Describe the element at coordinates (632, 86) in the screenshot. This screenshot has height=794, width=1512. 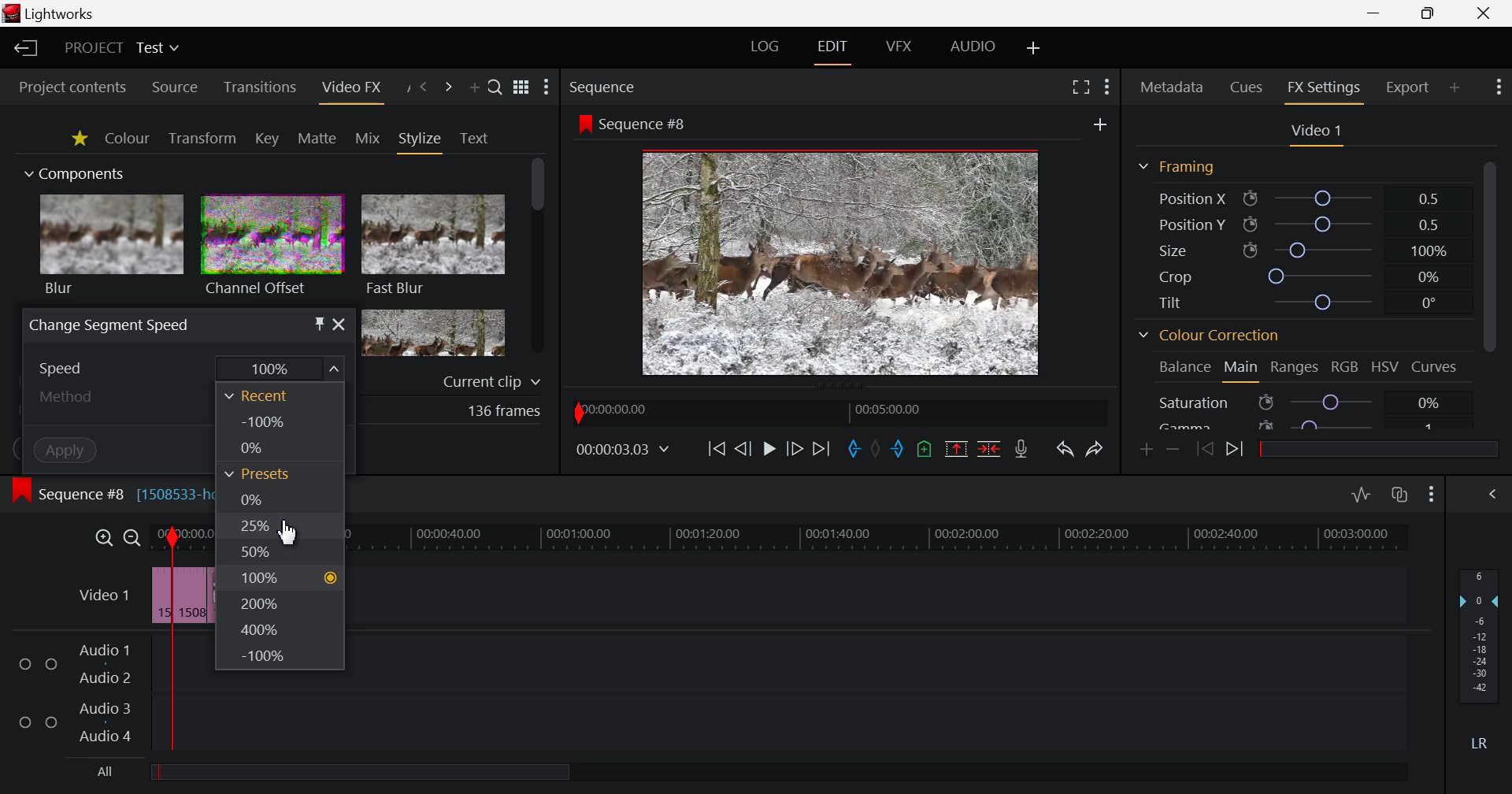
I see `Sequence` at that location.